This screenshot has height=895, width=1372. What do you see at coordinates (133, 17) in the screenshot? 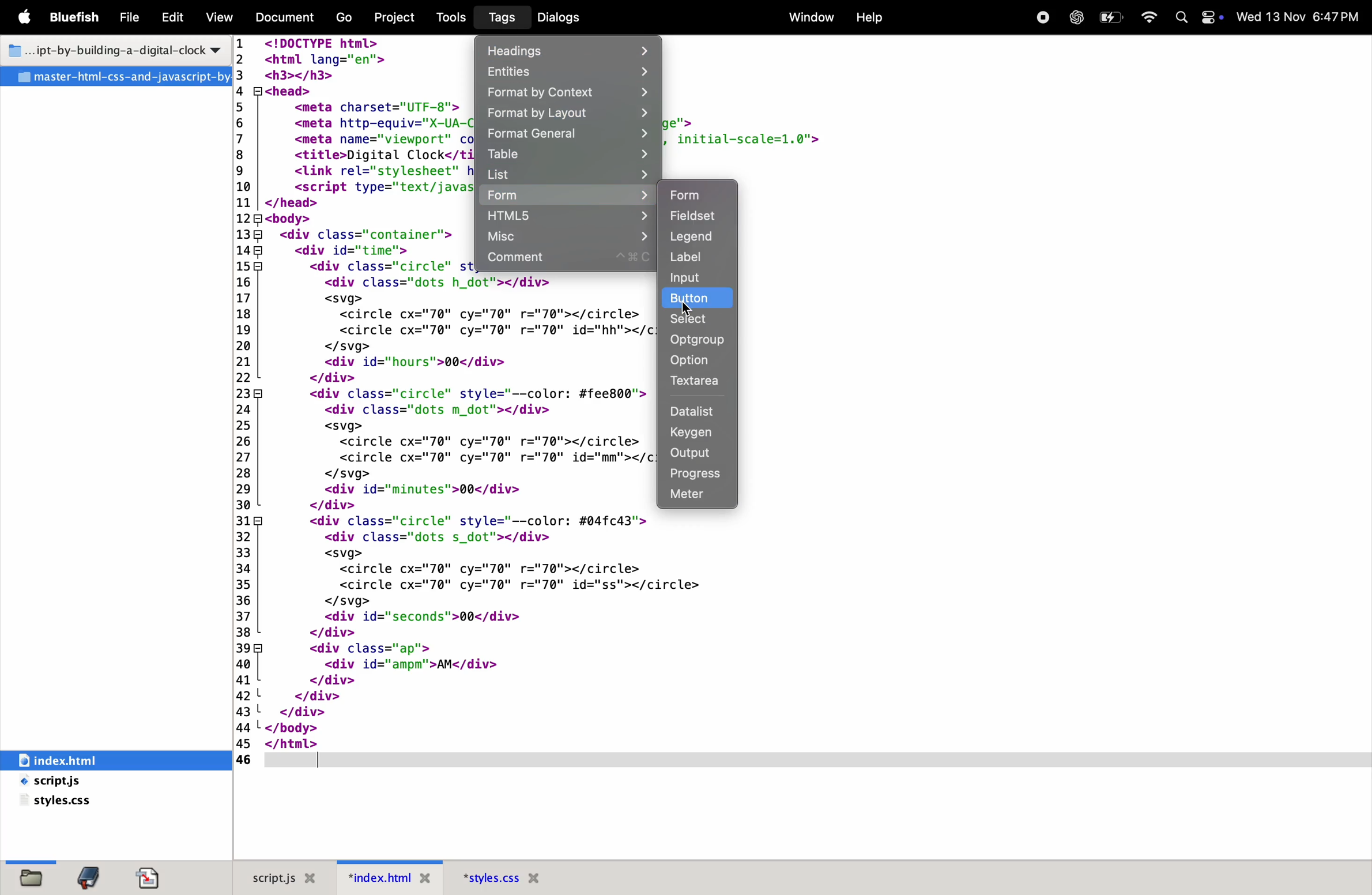
I see `File` at bounding box center [133, 17].